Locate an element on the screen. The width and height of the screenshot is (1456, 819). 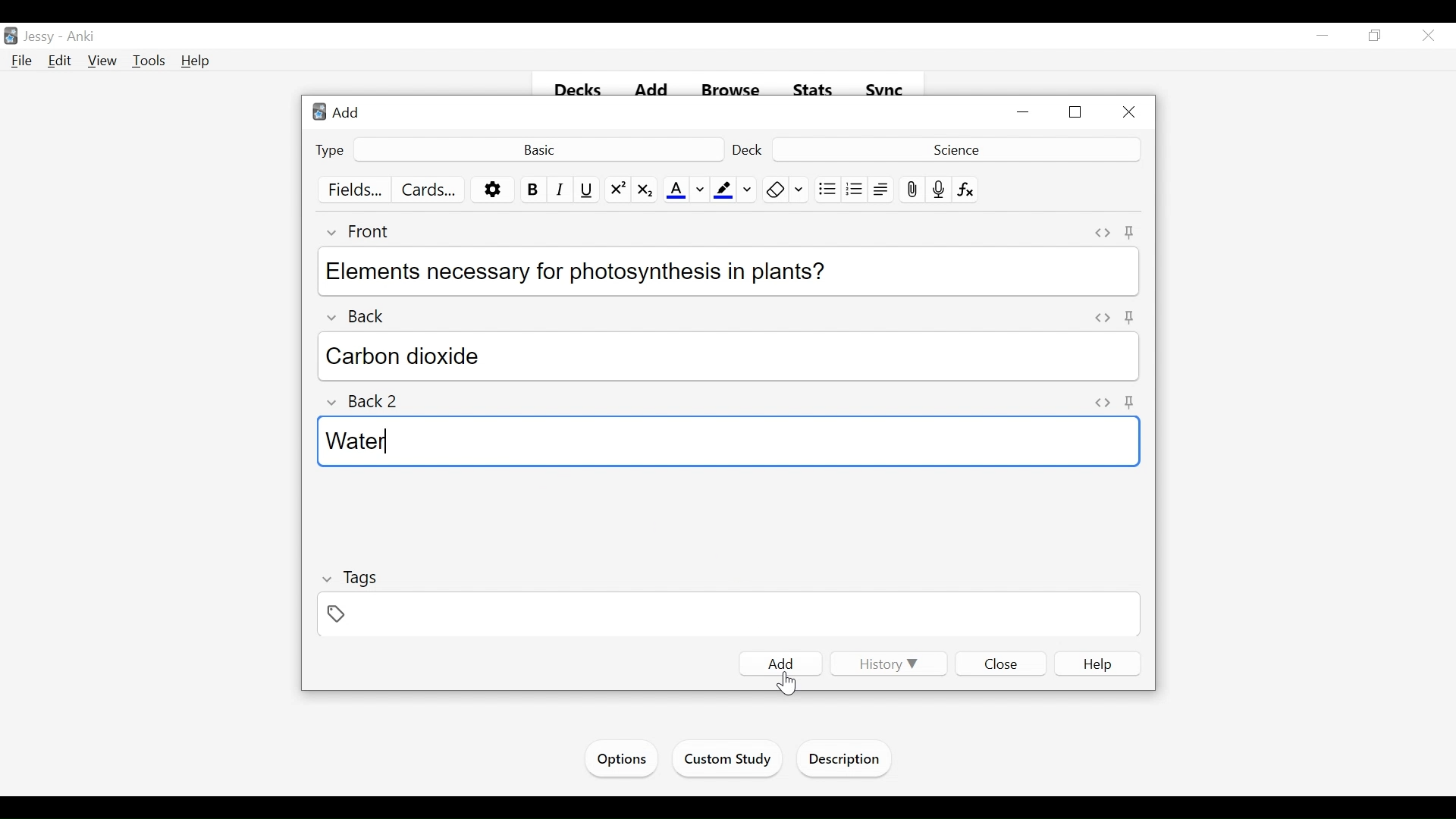
User Name is located at coordinates (42, 37).